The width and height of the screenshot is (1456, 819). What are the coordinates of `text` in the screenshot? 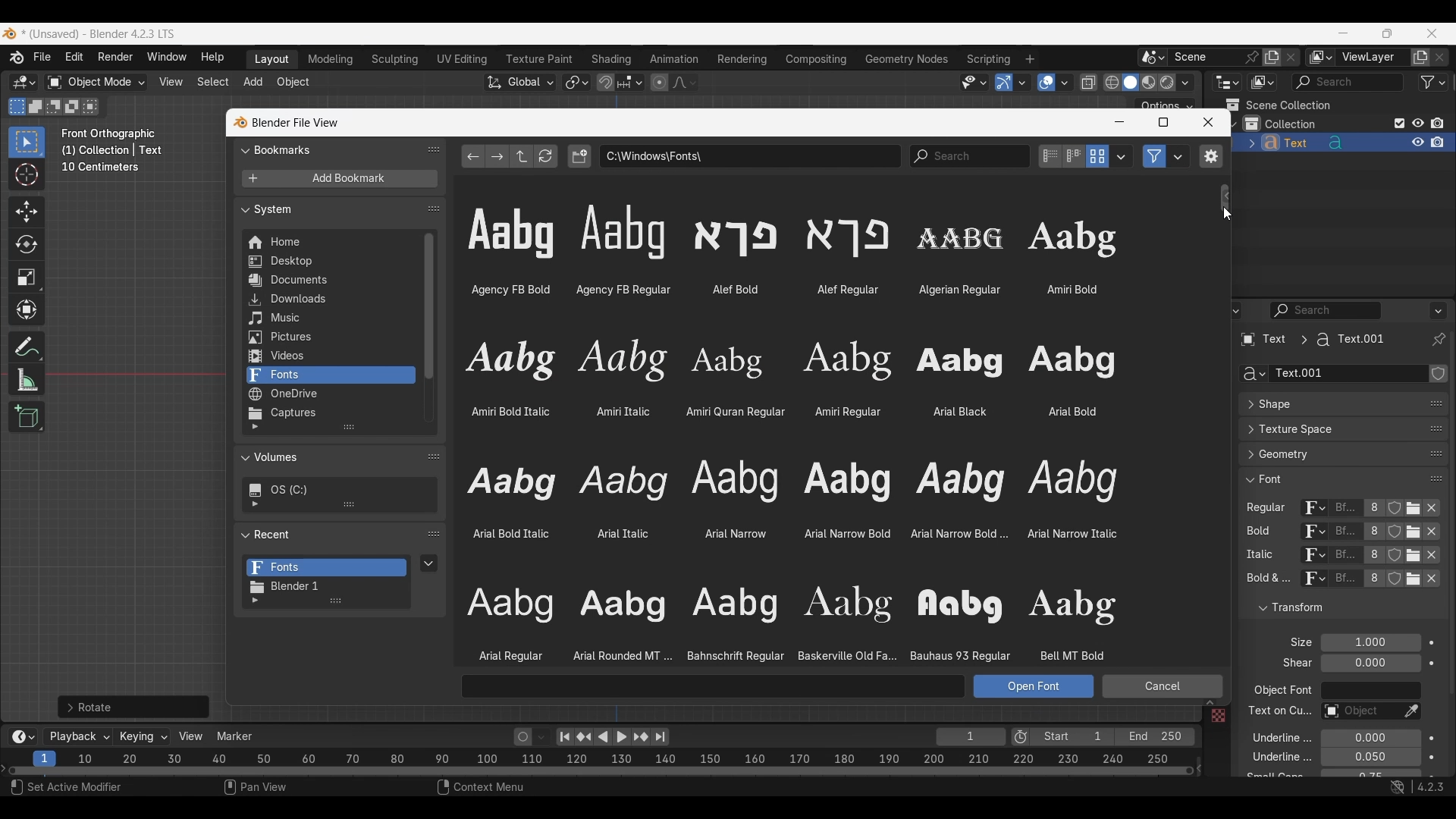 It's located at (1272, 776).